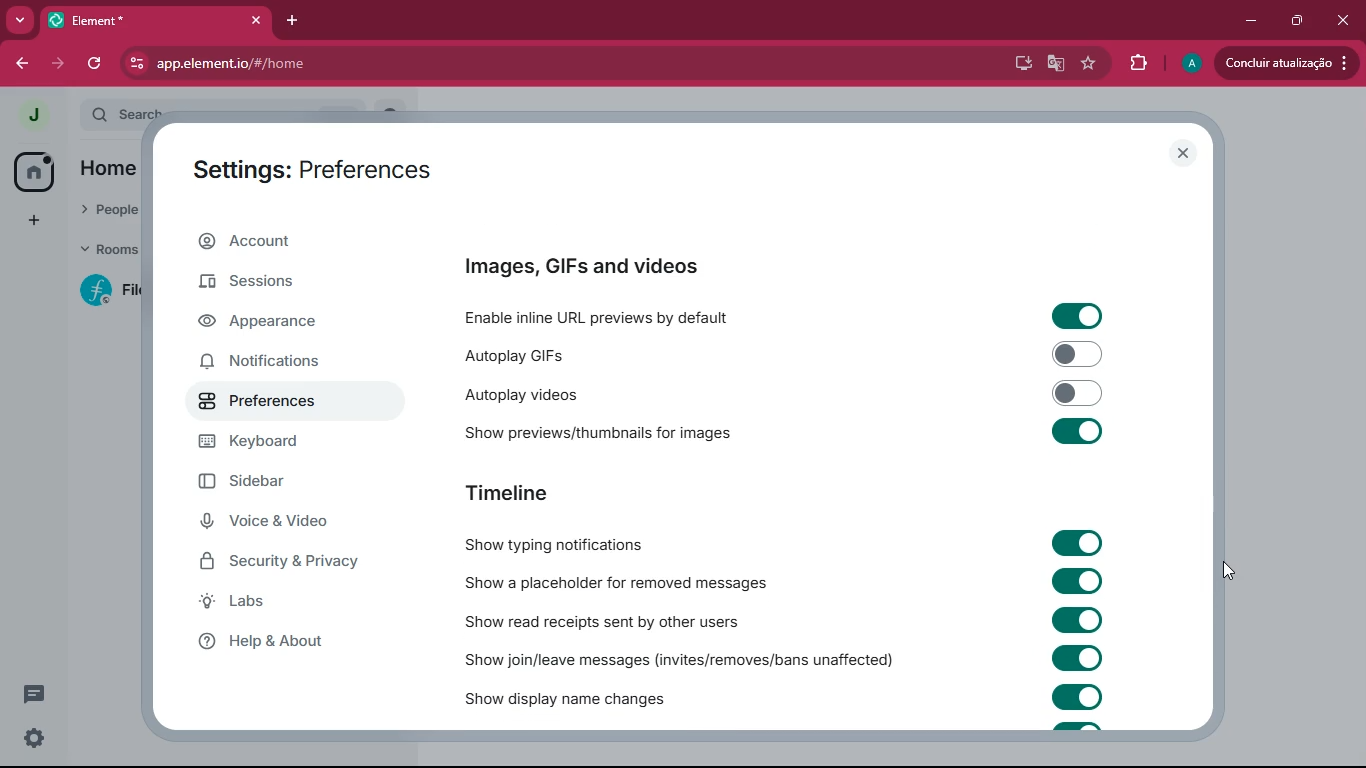  Describe the element at coordinates (286, 485) in the screenshot. I see `sidebar` at that location.